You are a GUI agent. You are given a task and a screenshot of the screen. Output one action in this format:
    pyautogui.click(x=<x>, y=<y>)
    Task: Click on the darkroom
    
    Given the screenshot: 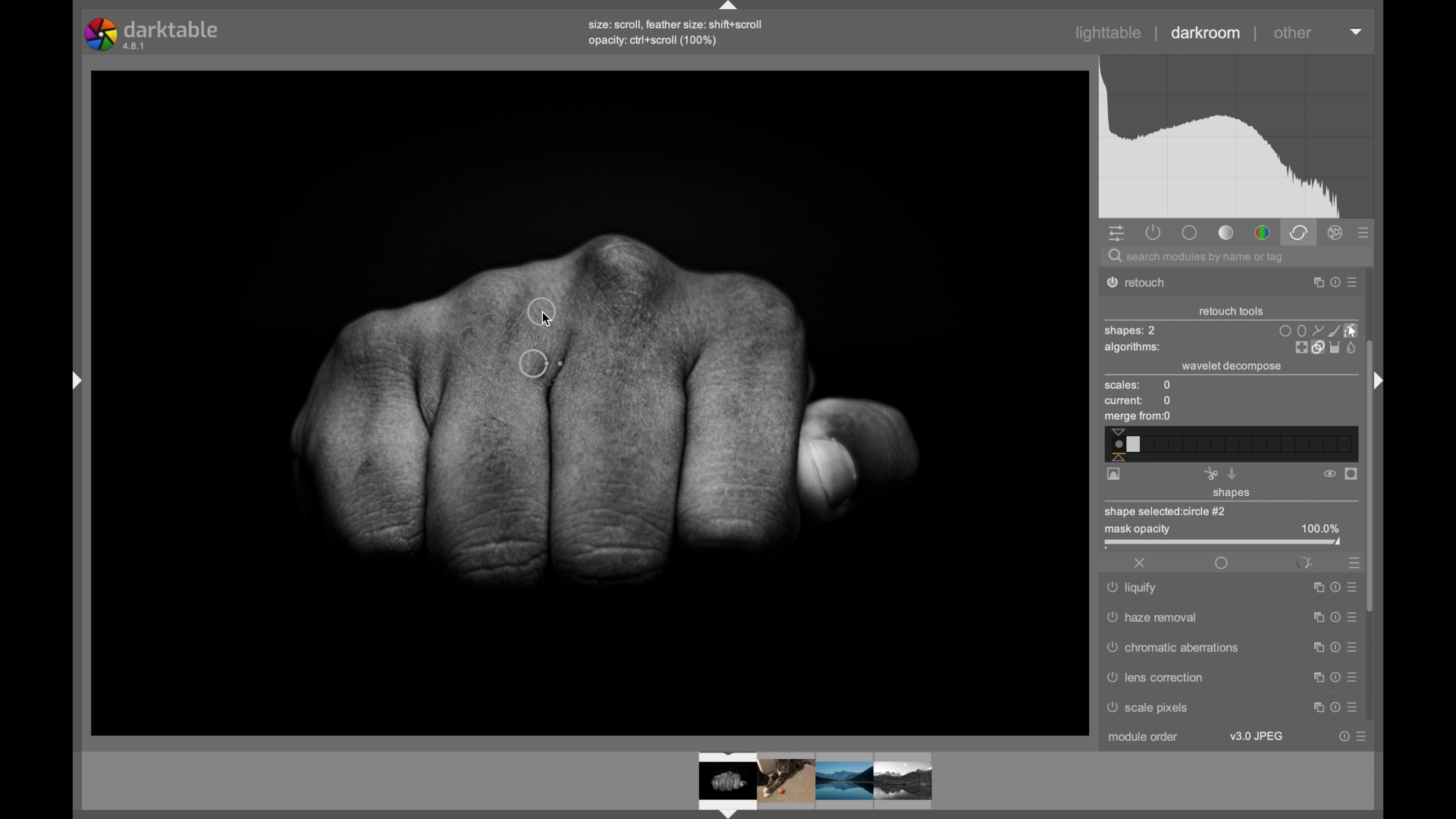 What is the action you would take?
    pyautogui.click(x=1207, y=33)
    